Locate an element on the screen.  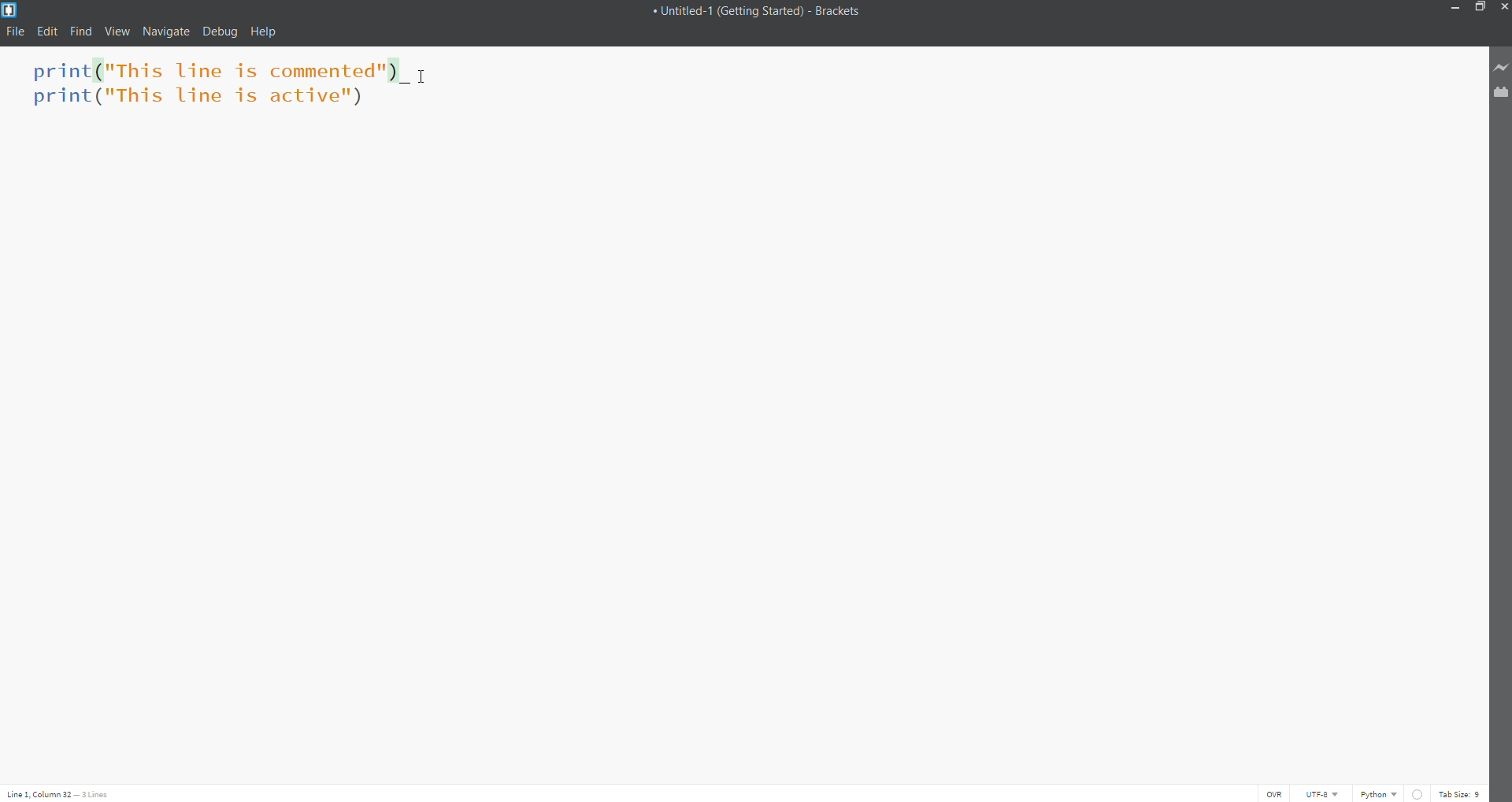
File Type is located at coordinates (1380, 792).